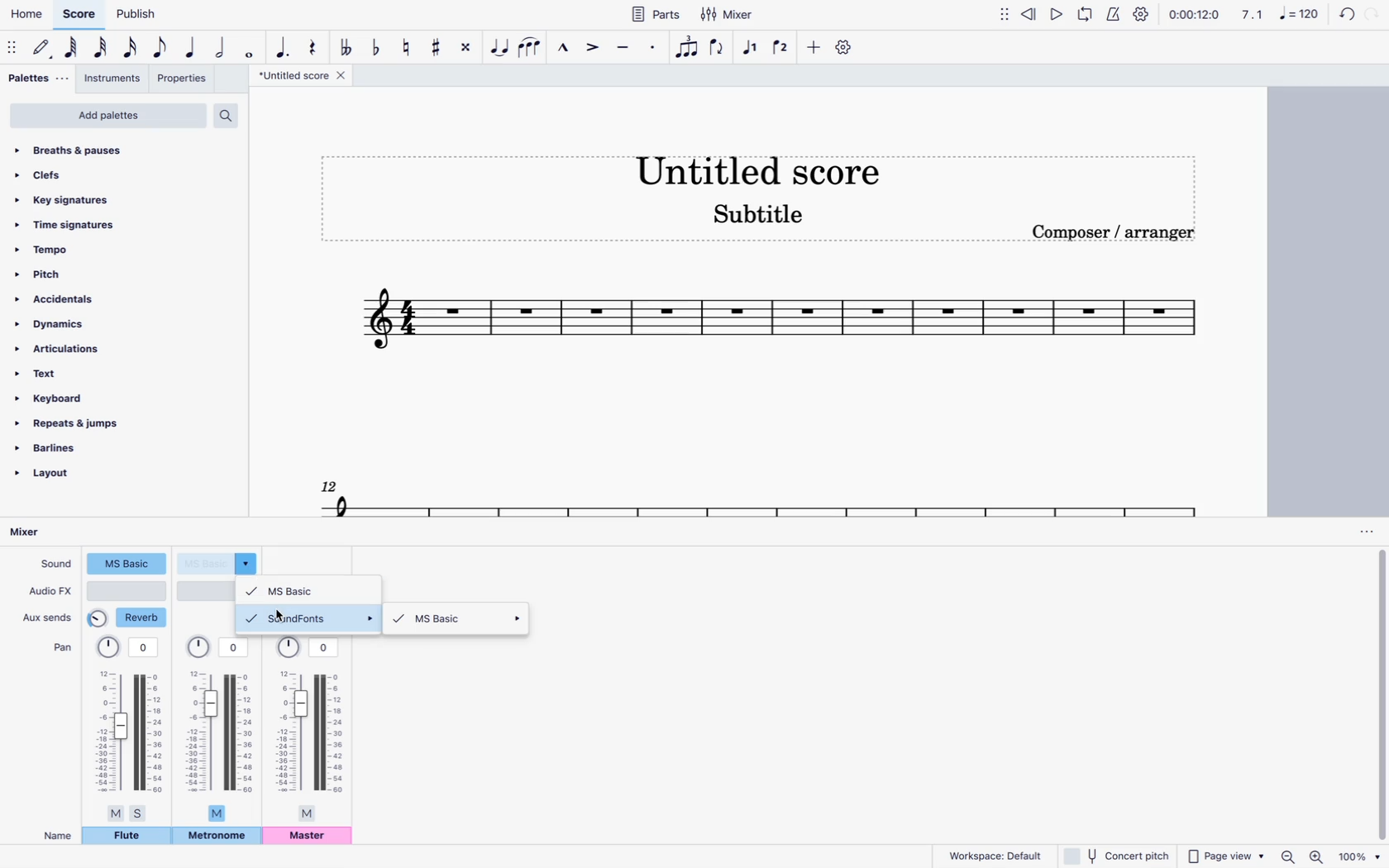 Image resolution: width=1389 pixels, height=868 pixels. Describe the element at coordinates (120, 150) in the screenshot. I see `breaths & pauses` at that location.